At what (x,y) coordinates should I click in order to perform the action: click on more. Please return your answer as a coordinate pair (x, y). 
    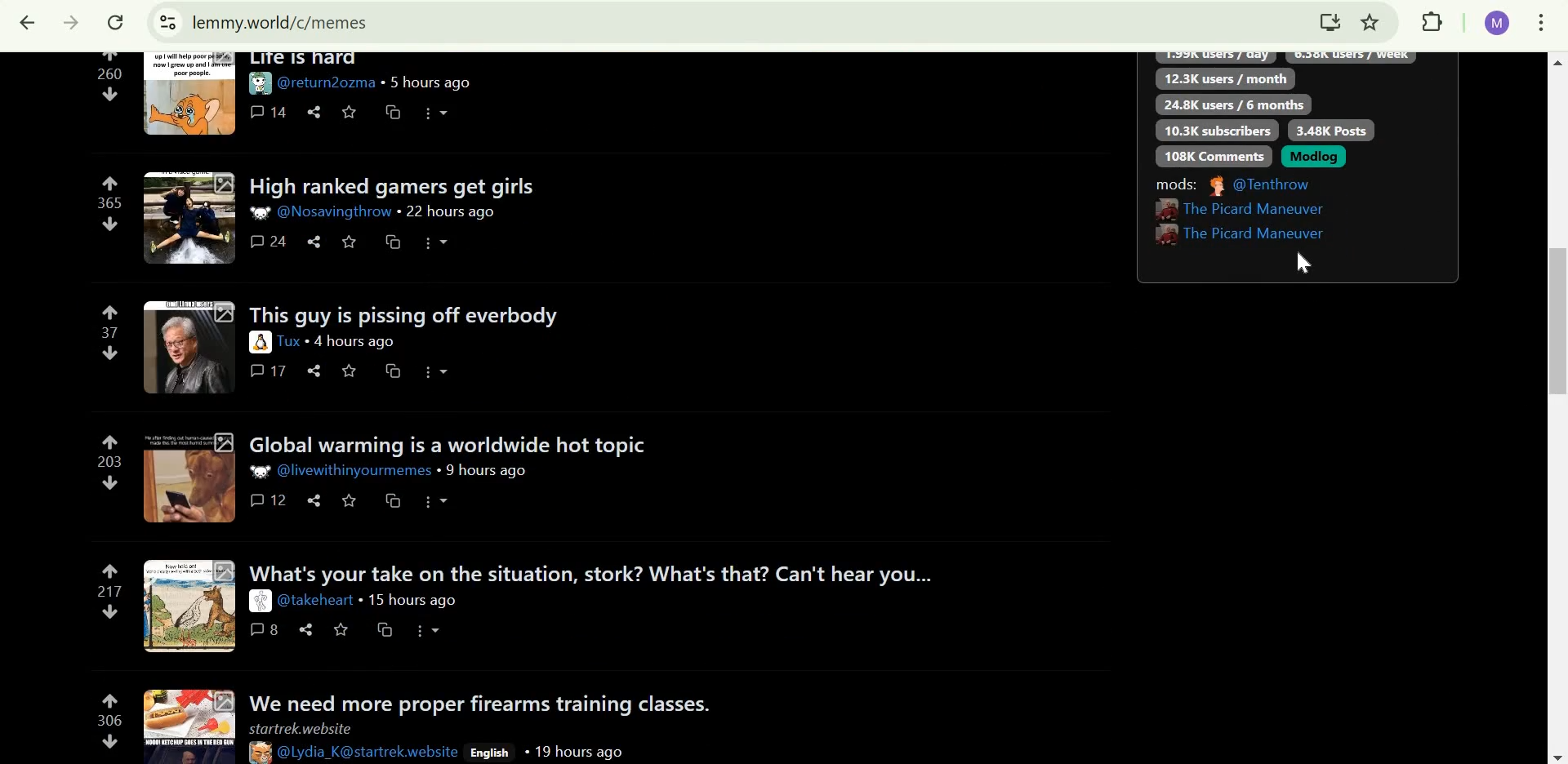
    Looking at the image, I should click on (438, 114).